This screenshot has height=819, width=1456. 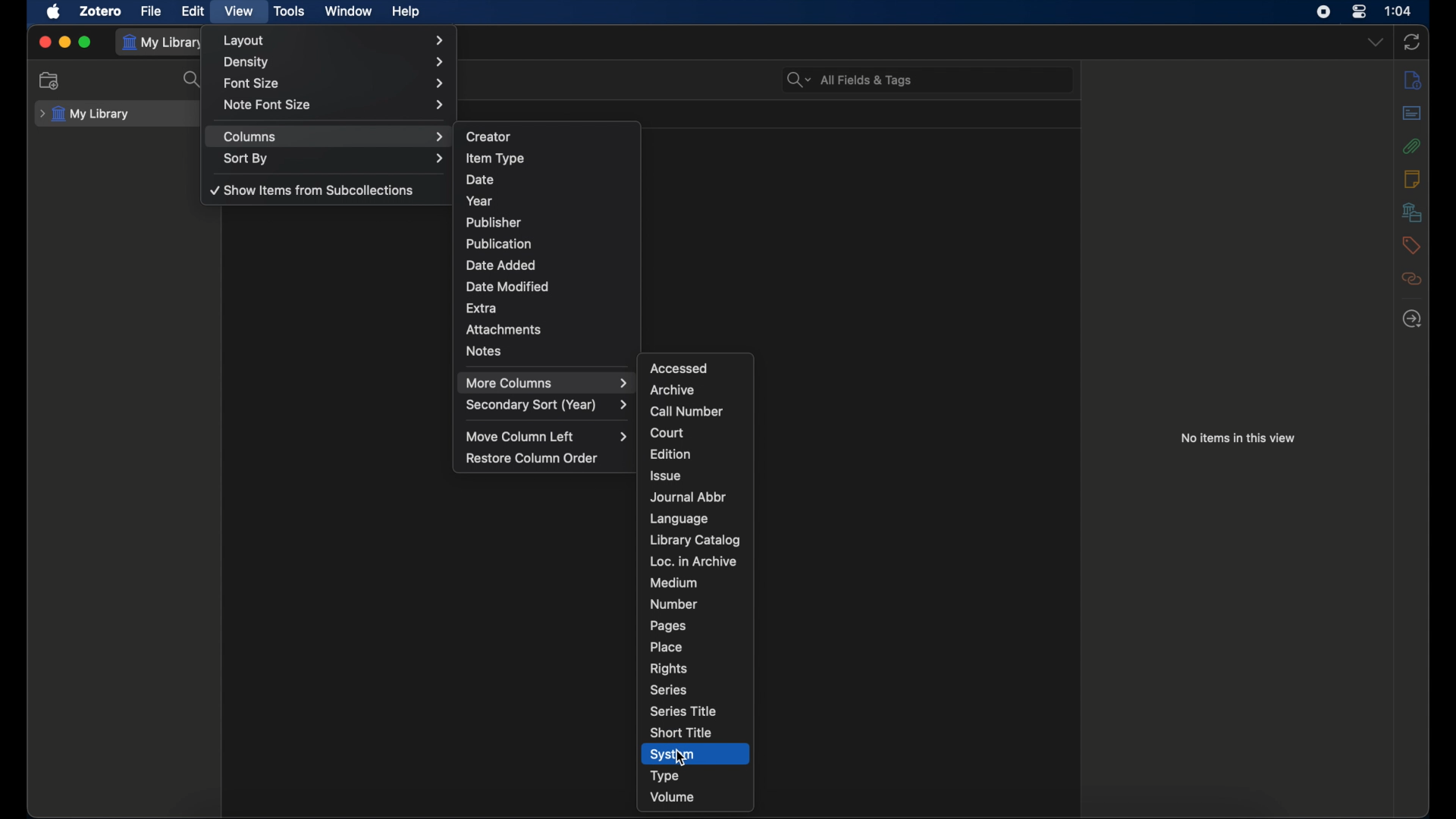 I want to click on sort by, so click(x=333, y=158).